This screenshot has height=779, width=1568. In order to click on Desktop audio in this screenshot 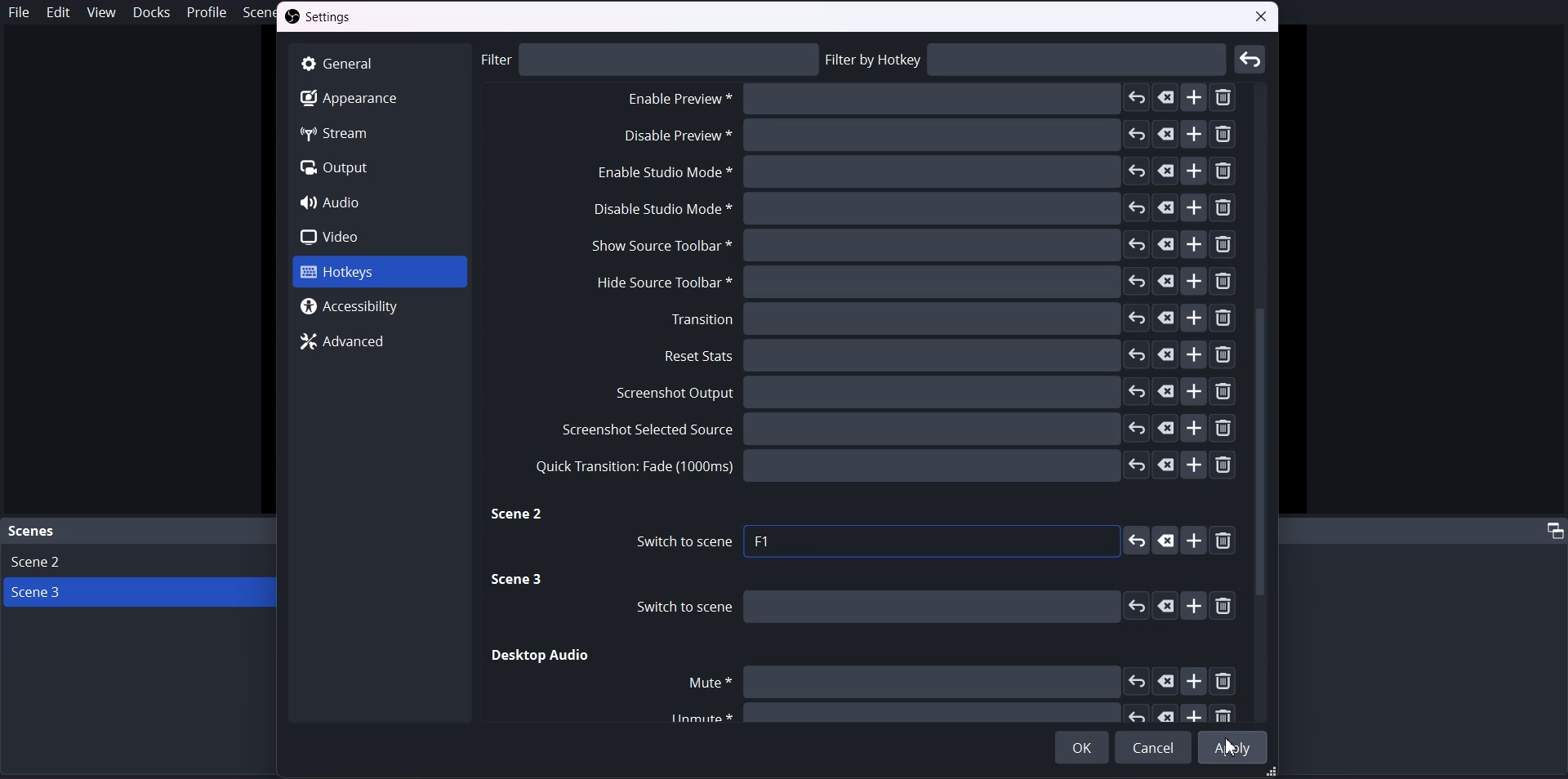, I will do `click(541, 656)`.